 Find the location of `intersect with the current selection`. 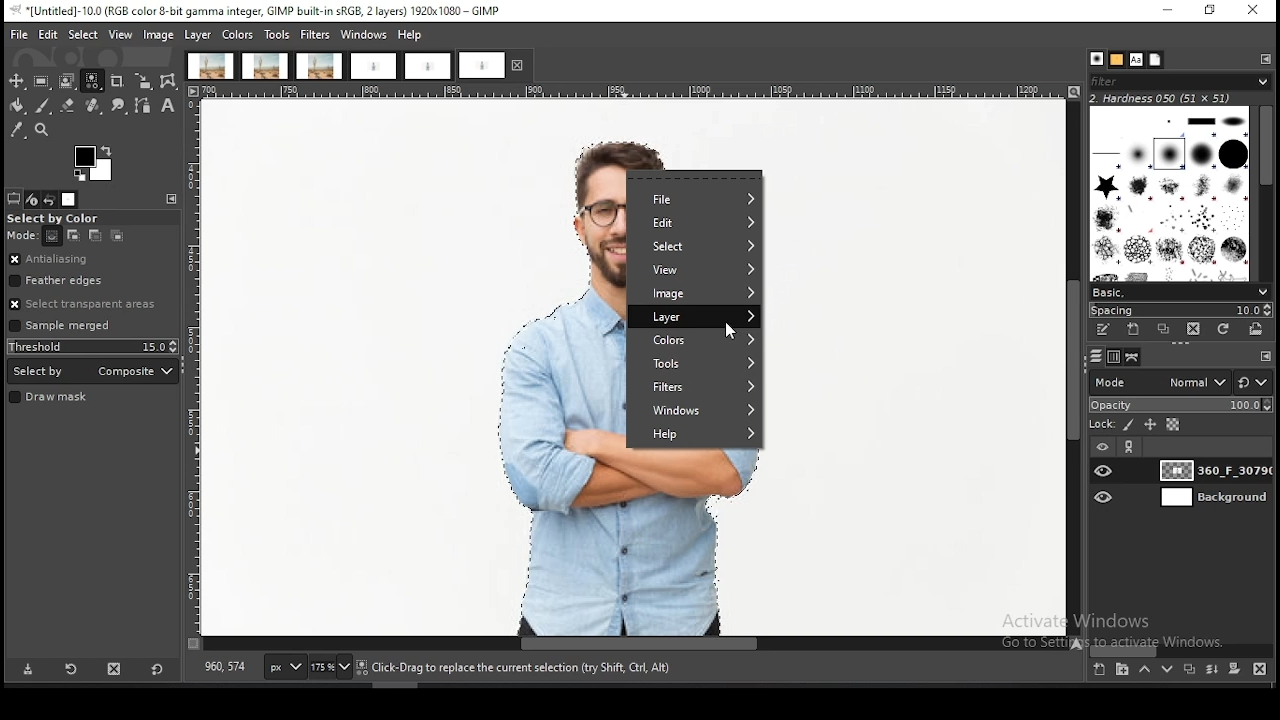

intersect with the current selection is located at coordinates (115, 237).